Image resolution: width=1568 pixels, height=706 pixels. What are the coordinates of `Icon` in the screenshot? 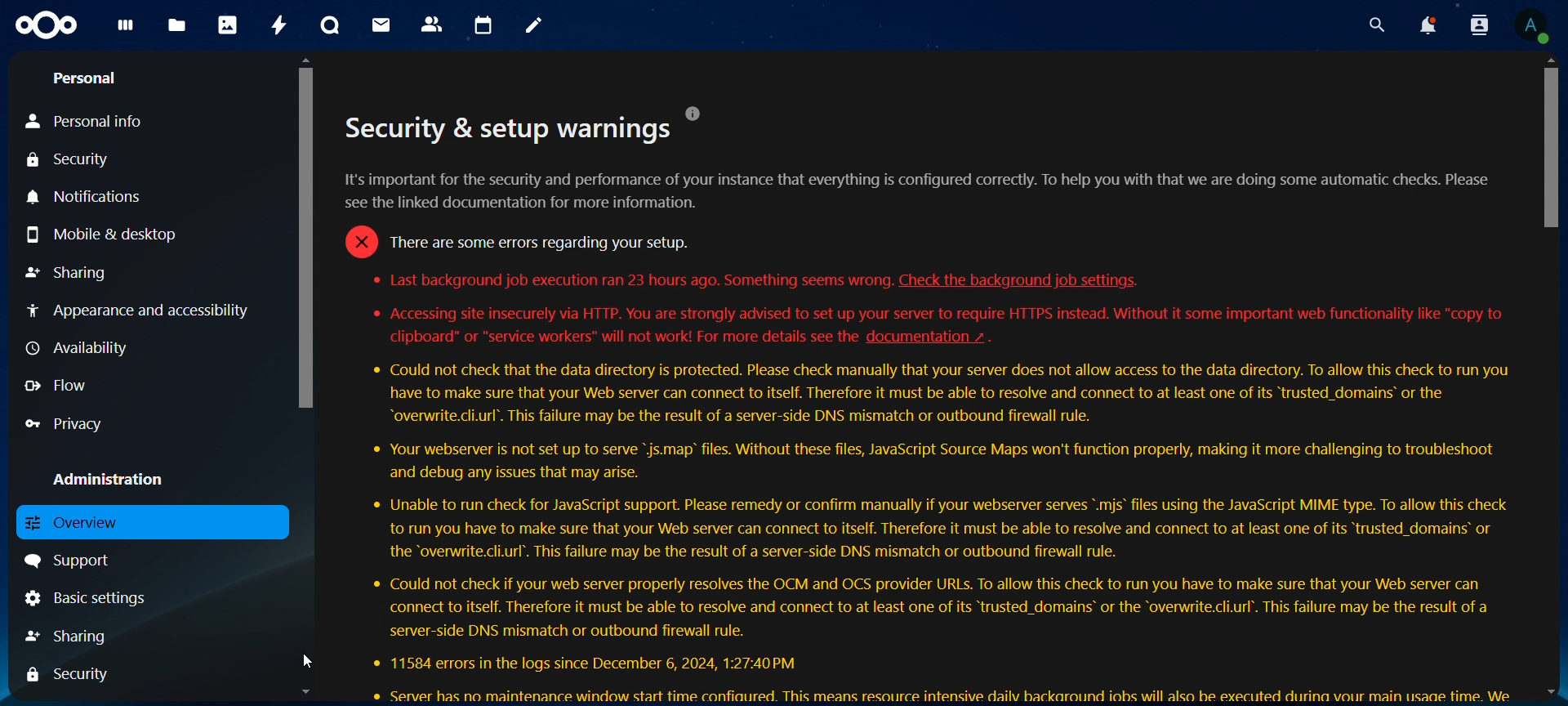 It's located at (49, 25).